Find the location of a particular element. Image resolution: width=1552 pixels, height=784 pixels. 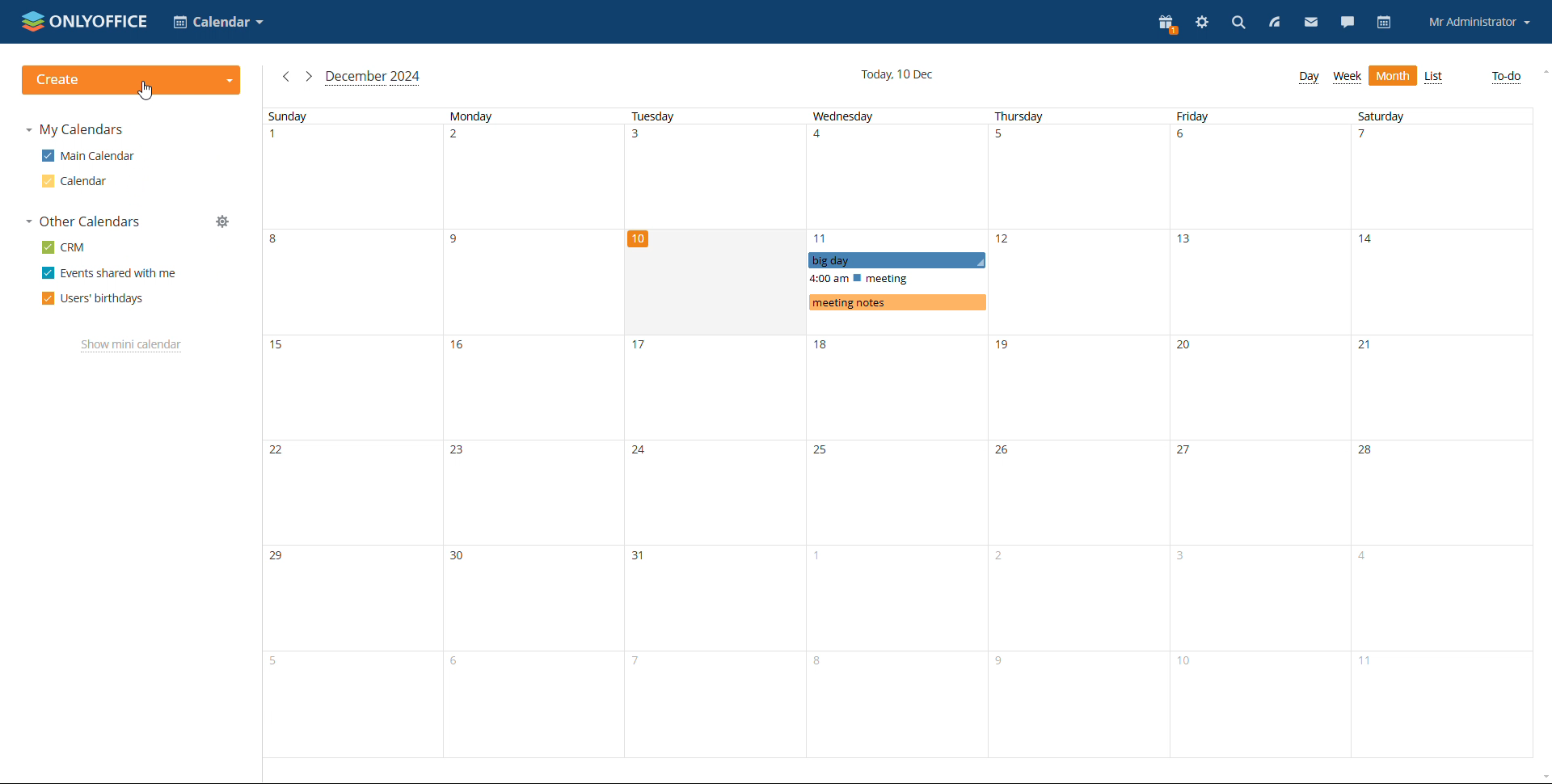

onlyoffice logo is located at coordinates (31, 22).